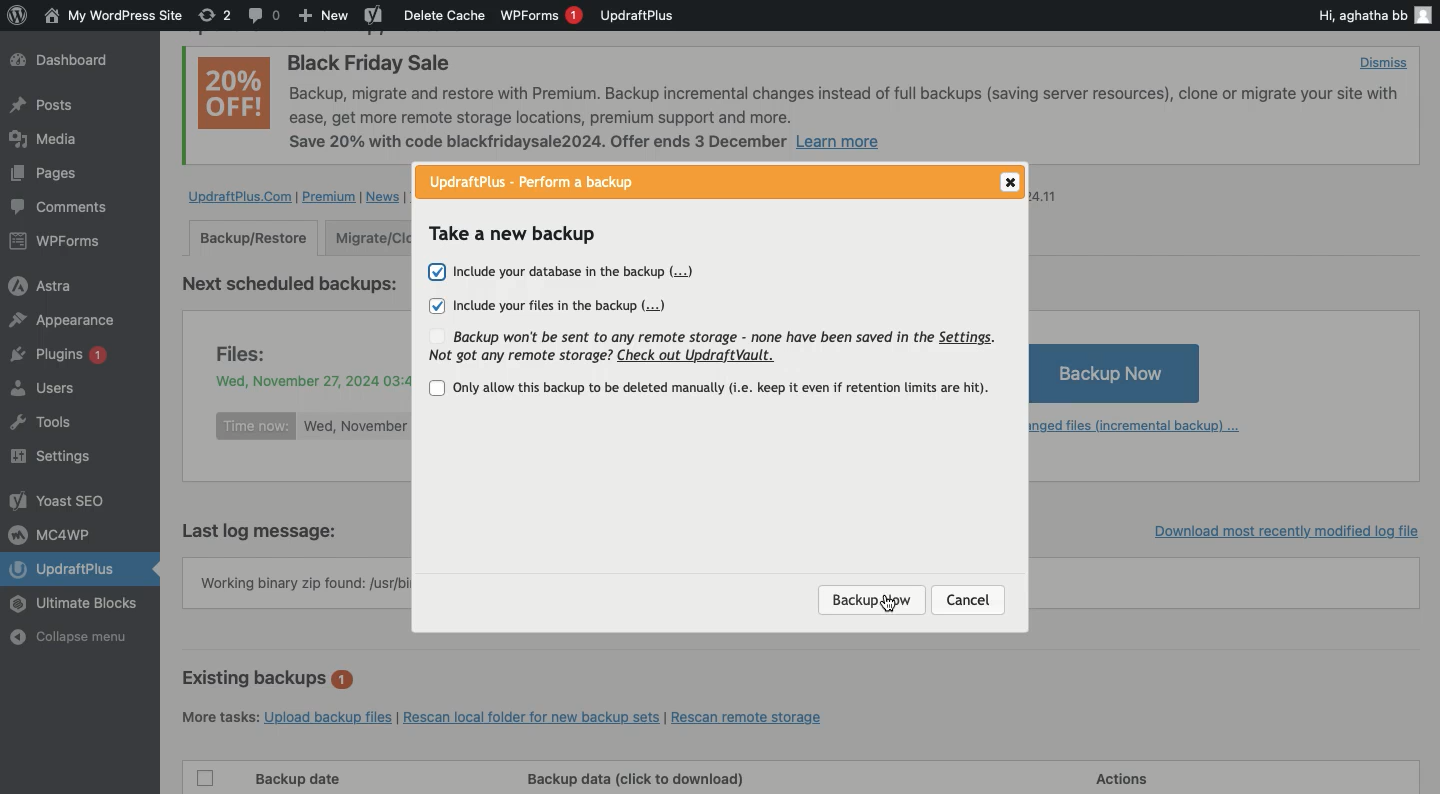 The width and height of the screenshot is (1440, 794). I want to click on Backup now, so click(873, 600).